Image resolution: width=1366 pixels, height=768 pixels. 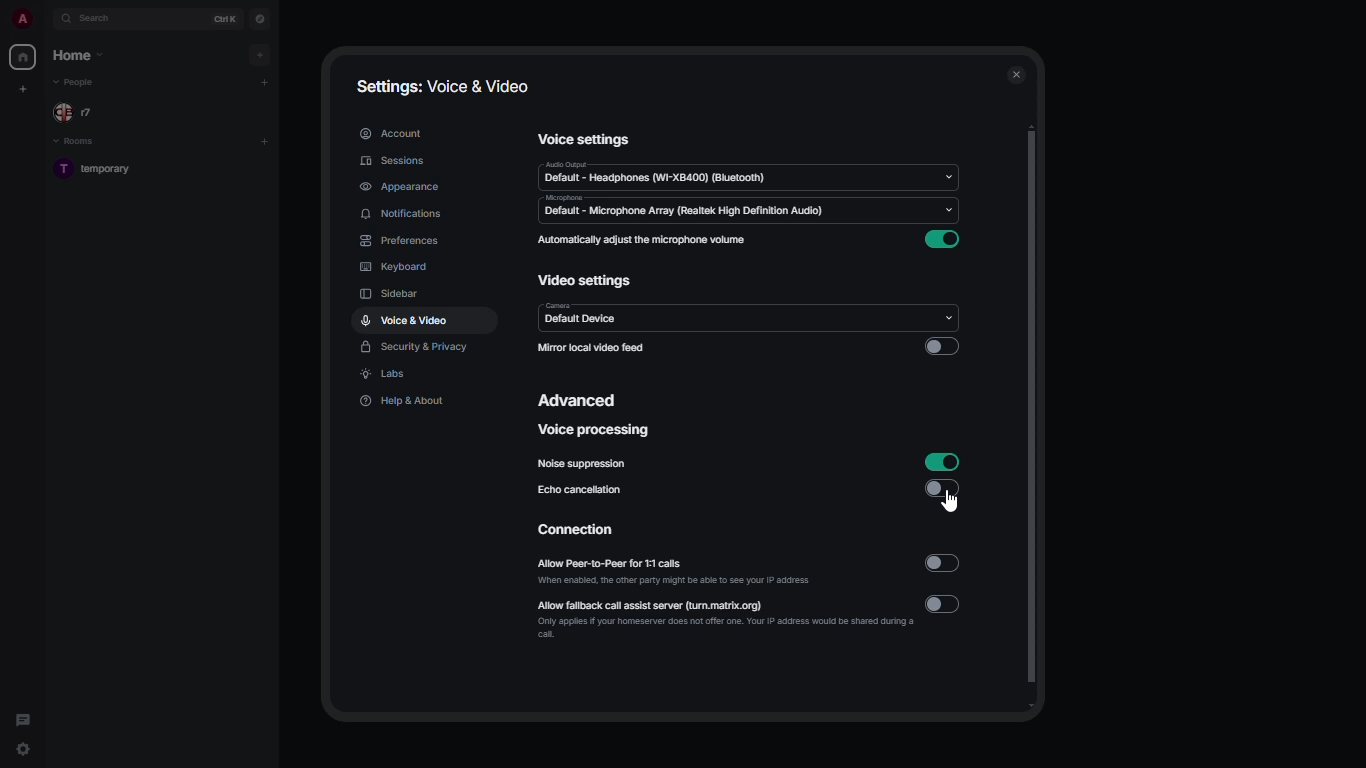 I want to click on account, so click(x=392, y=132).